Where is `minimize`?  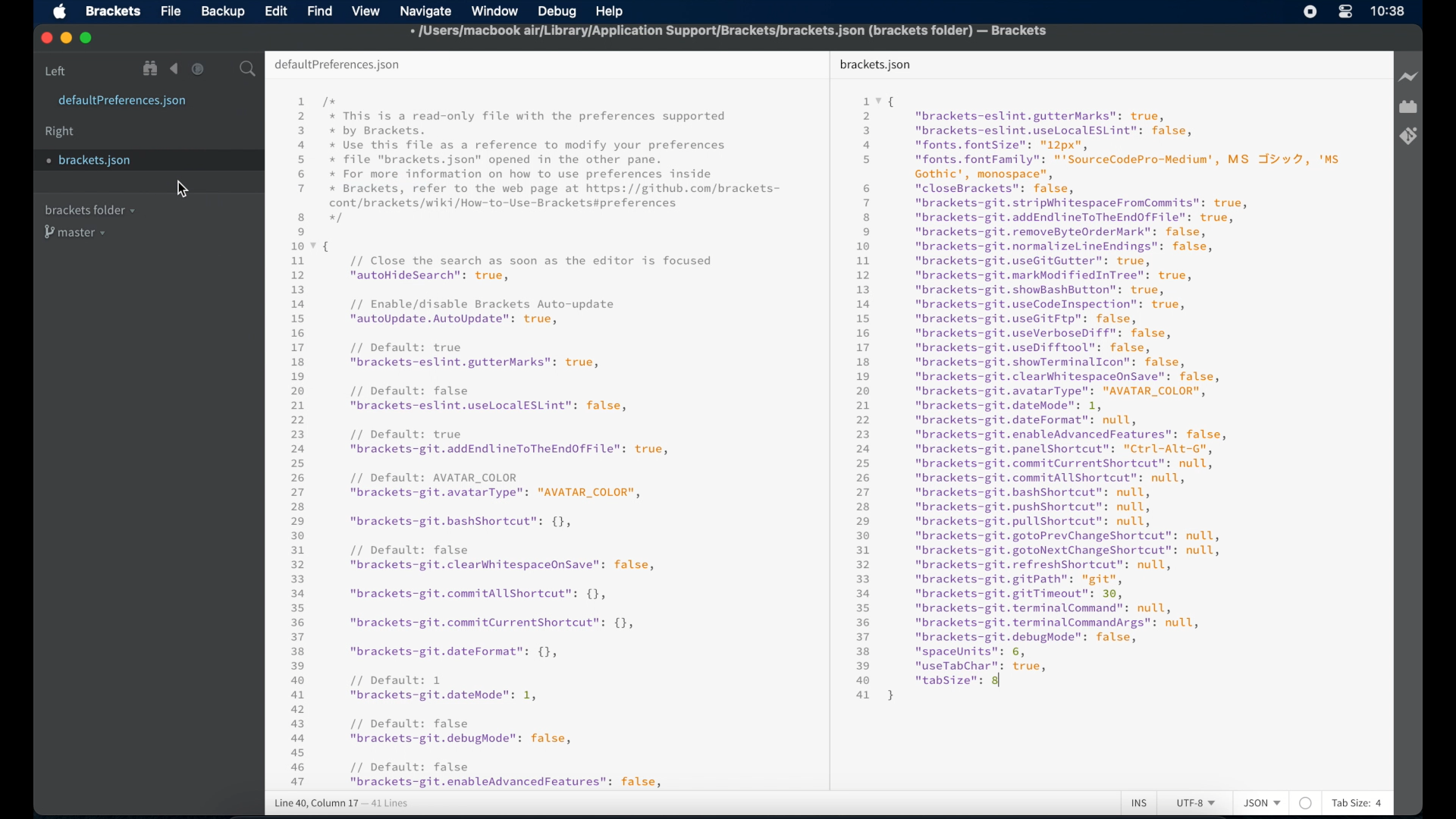 minimize is located at coordinates (67, 39).